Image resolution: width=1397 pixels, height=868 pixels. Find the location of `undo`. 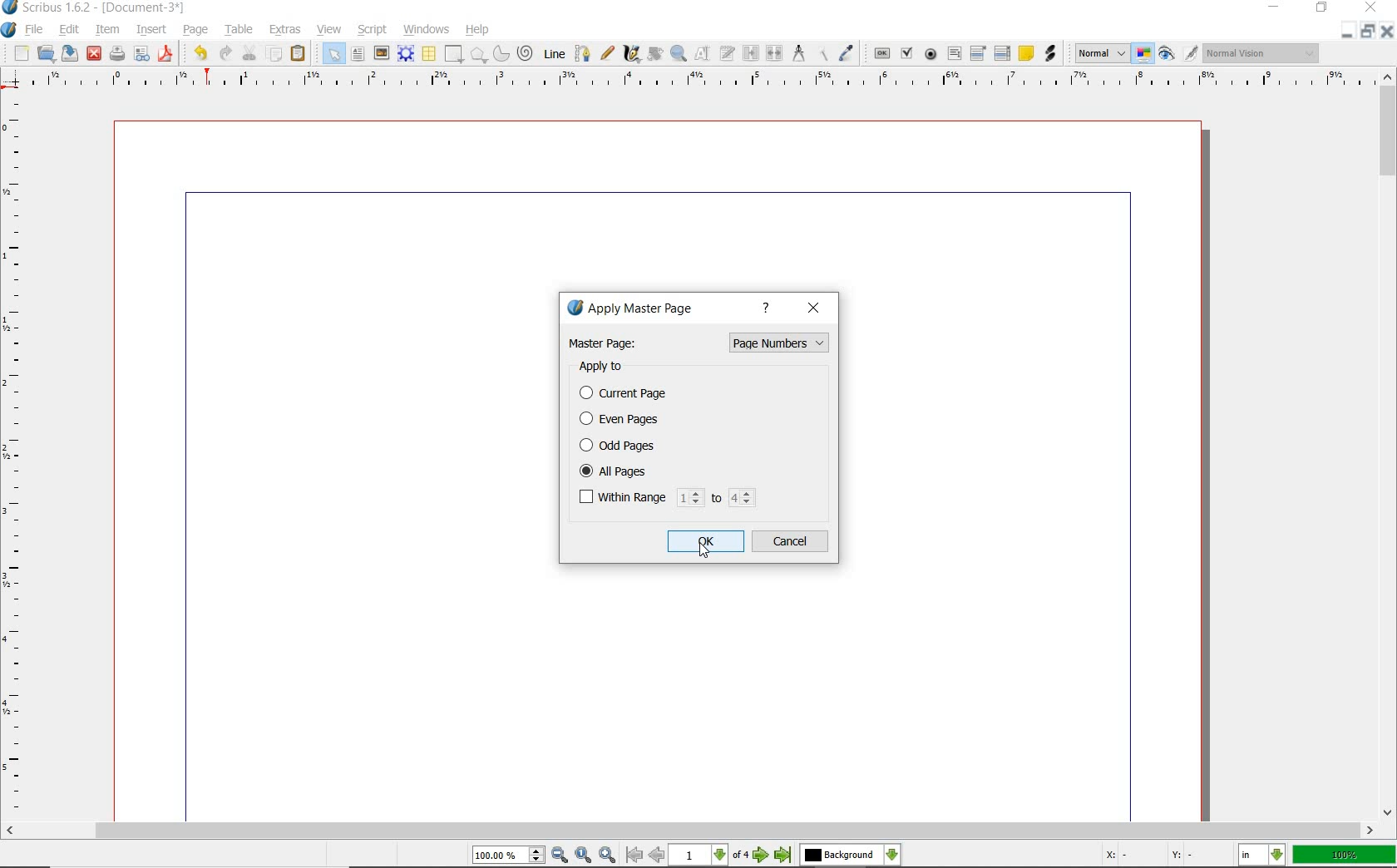

undo is located at coordinates (197, 53).